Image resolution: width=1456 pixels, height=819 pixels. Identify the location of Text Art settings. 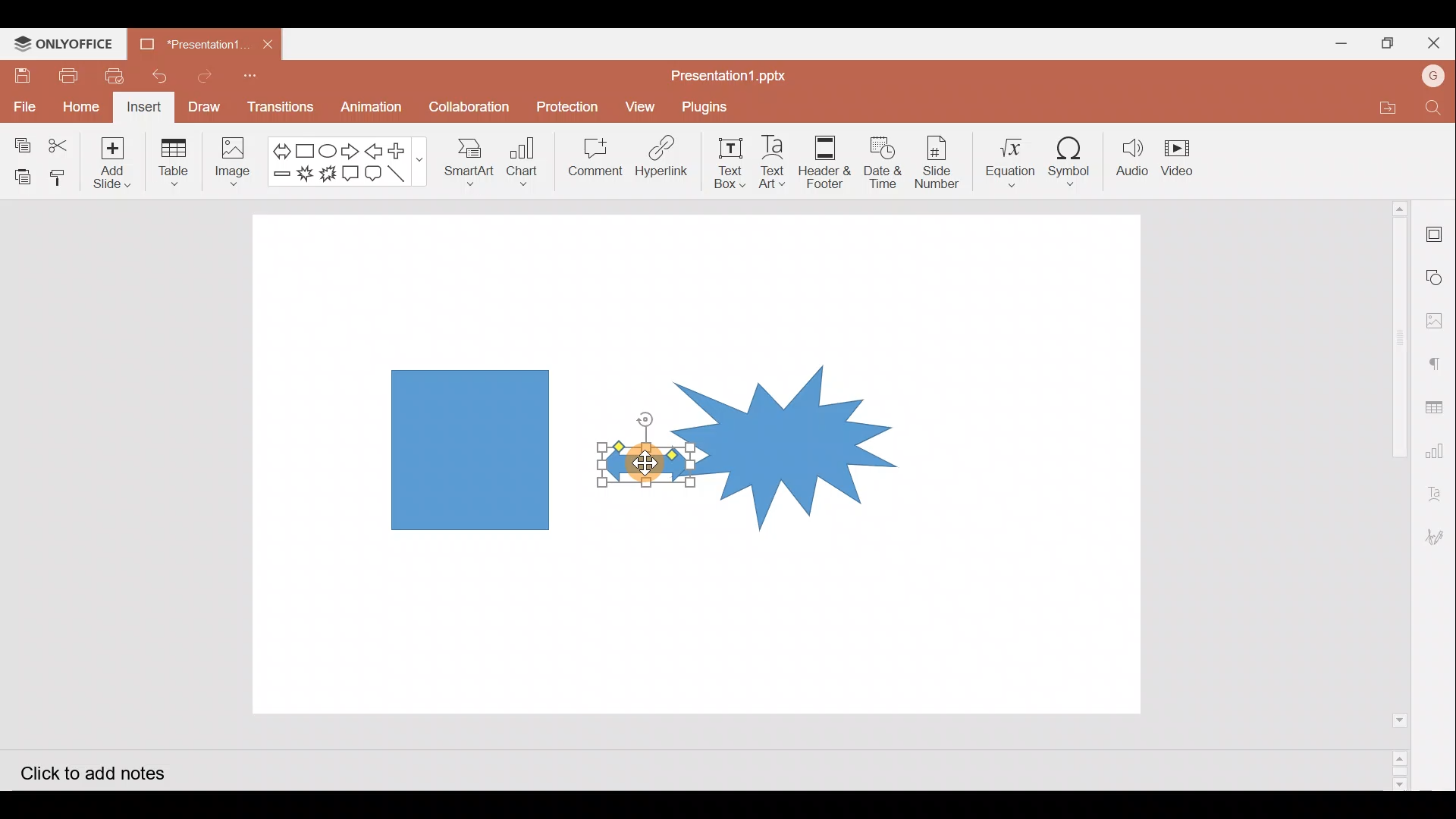
(1439, 488).